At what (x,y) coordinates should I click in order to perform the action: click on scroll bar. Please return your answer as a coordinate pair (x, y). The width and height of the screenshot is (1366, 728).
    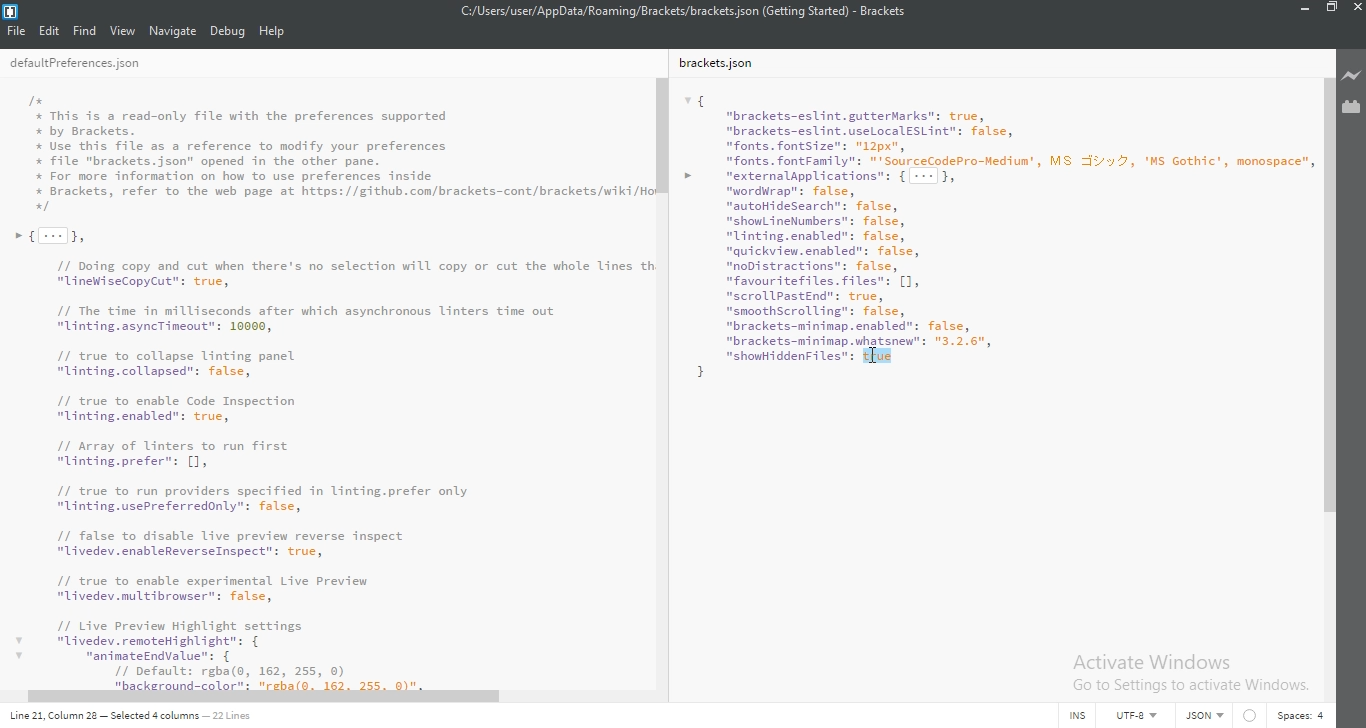
    Looking at the image, I should click on (1324, 294).